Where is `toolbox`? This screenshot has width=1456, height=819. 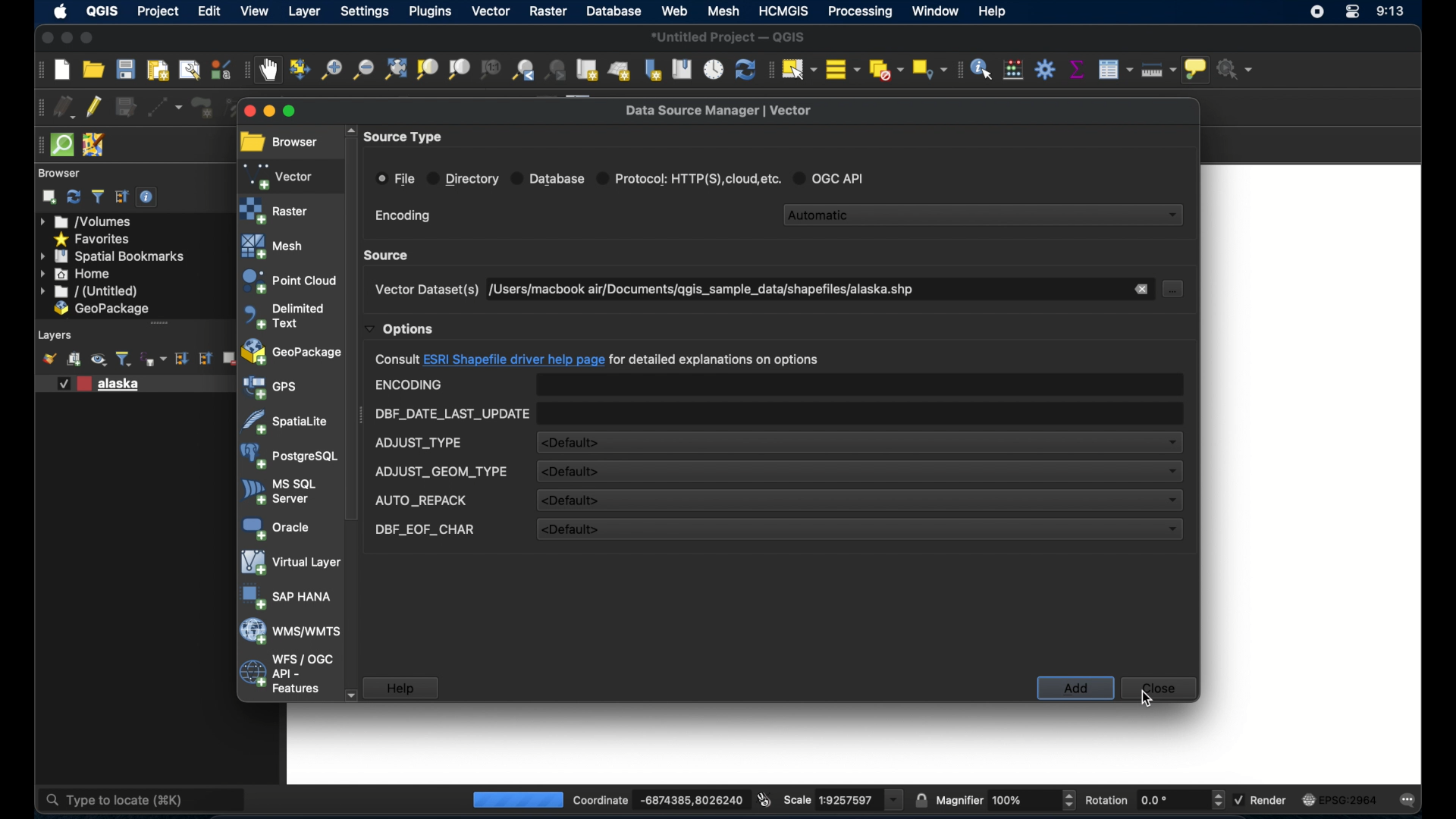 toolbox is located at coordinates (1045, 67).